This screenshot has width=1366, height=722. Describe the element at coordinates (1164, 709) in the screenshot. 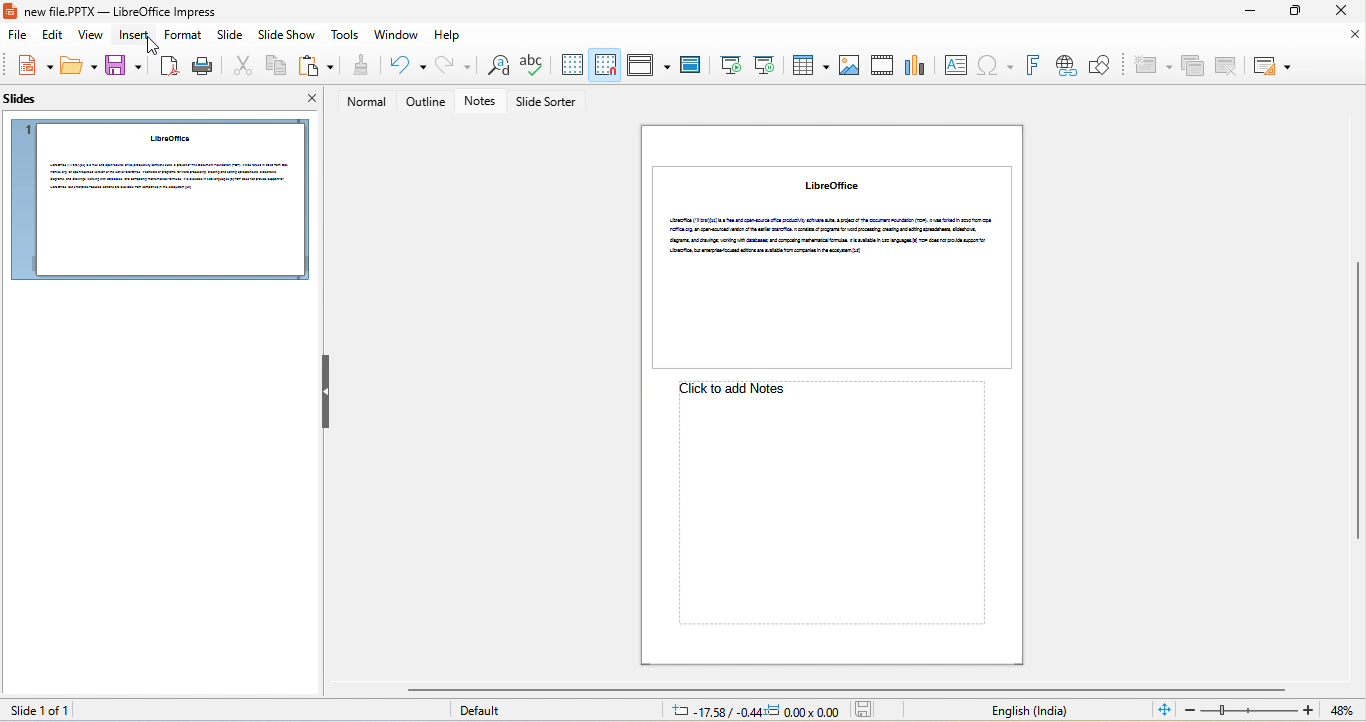

I see `fit slide to current window` at that location.